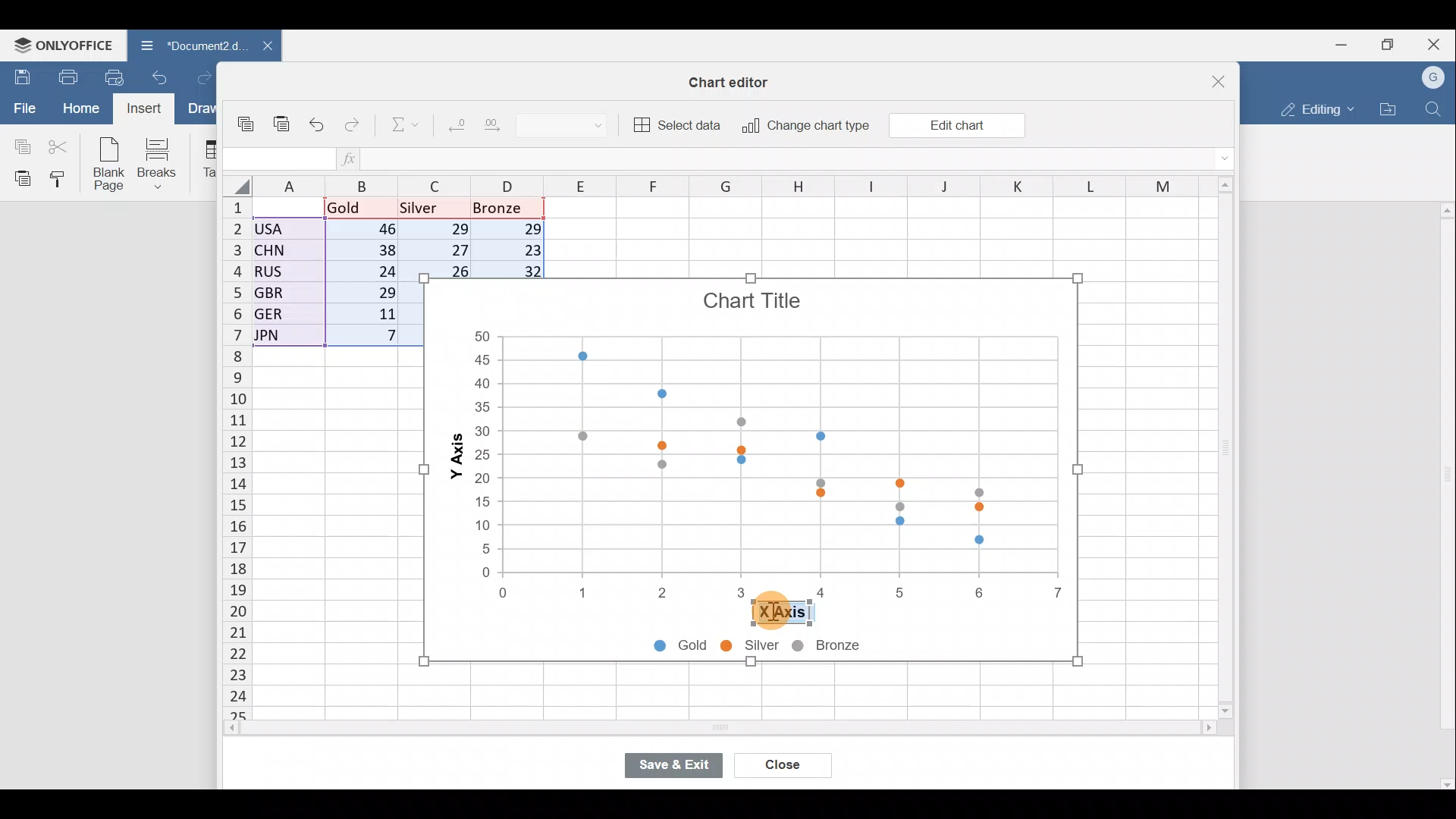 Image resolution: width=1456 pixels, height=819 pixels. What do you see at coordinates (781, 648) in the screenshot?
I see `Chart legends` at bounding box center [781, 648].